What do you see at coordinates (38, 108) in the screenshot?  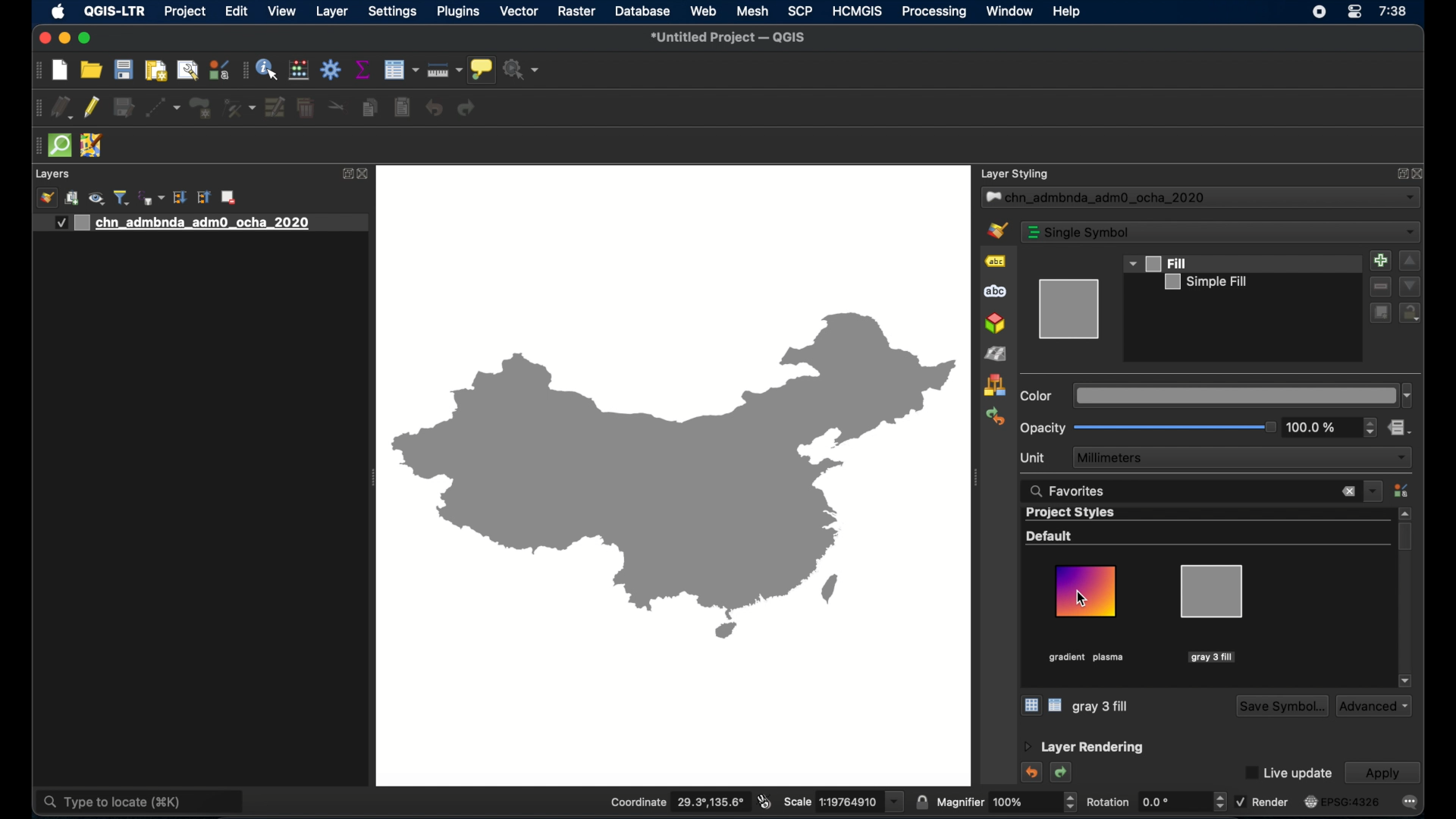 I see `drag handle` at bounding box center [38, 108].